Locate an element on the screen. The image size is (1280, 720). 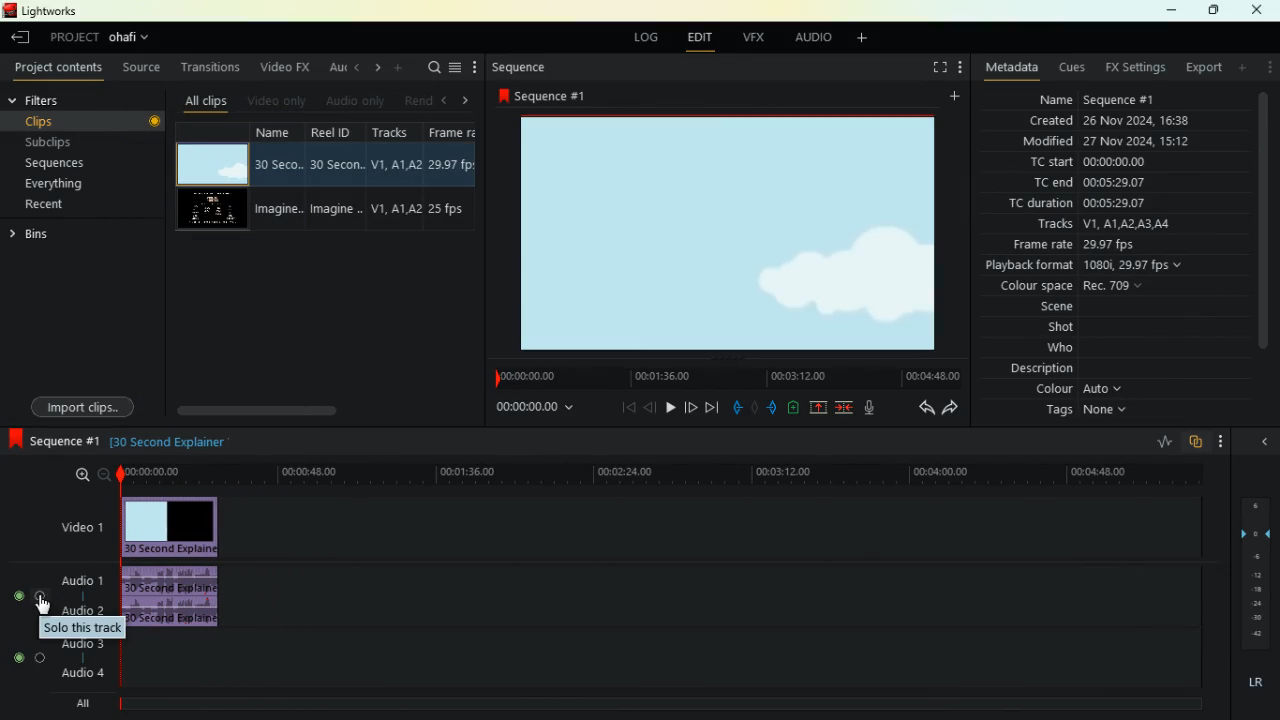
audio 2 is located at coordinates (85, 610).